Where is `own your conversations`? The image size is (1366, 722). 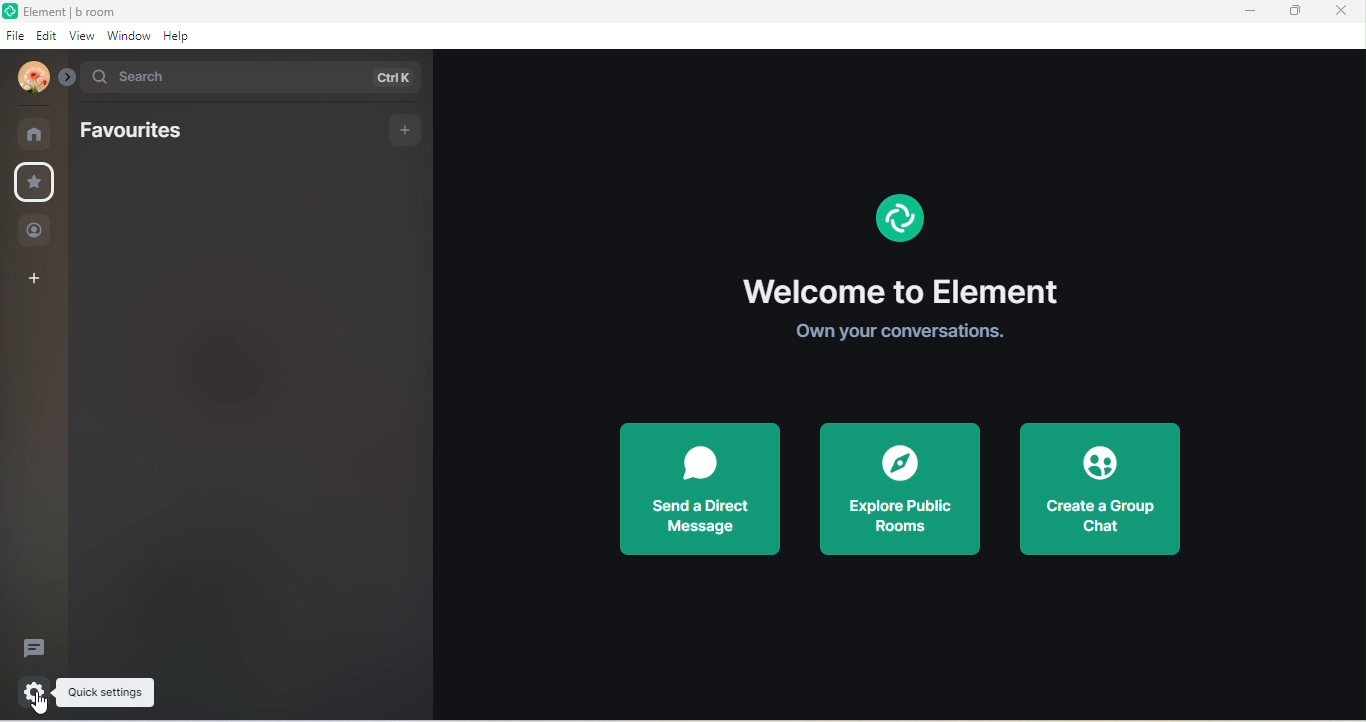 own your conversations is located at coordinates (895, 334).